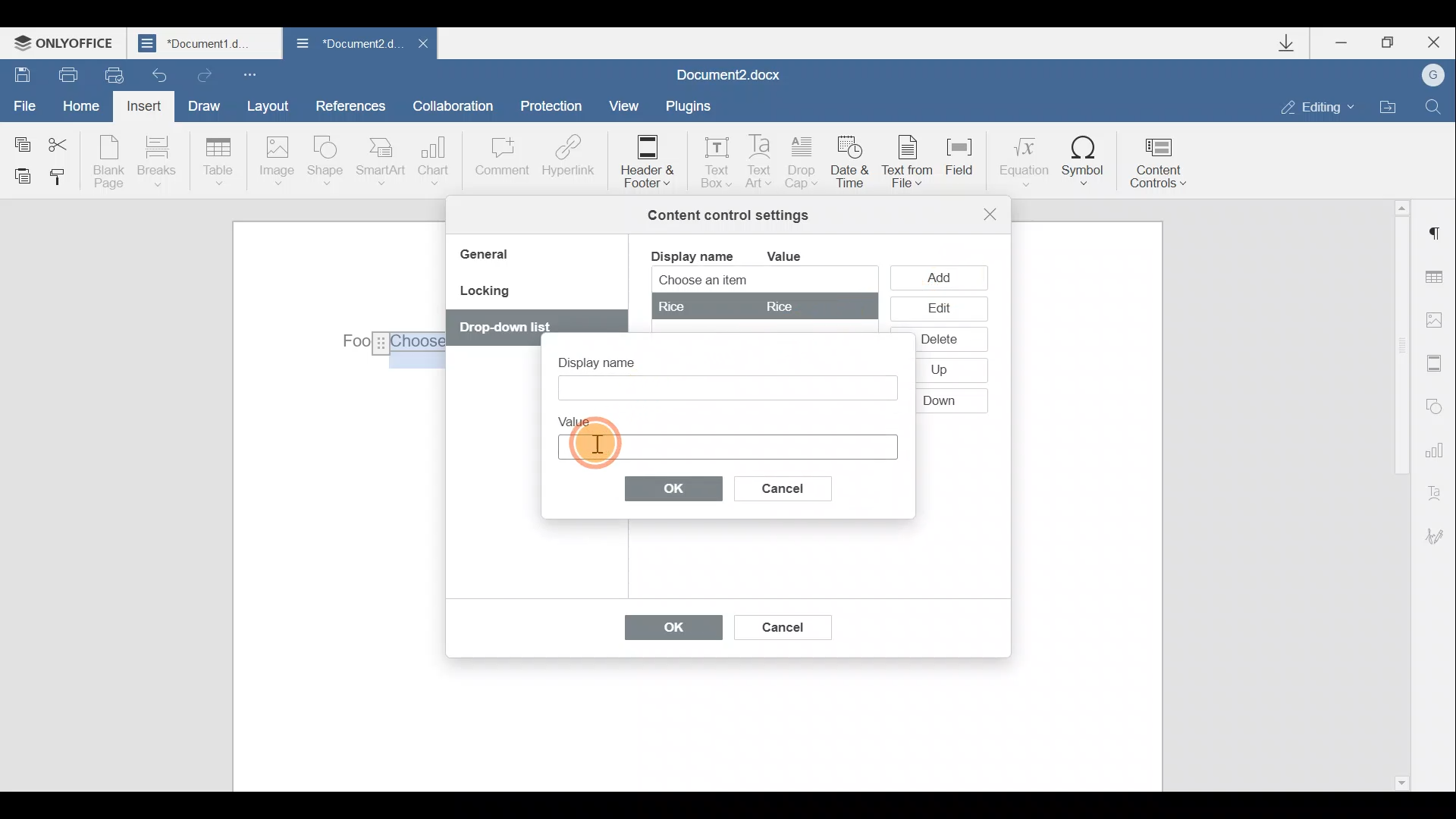 The width and height of the screenshot is (1456, 819). What do you see at coordinates (1292, 43) in the screenshot?
I see `Downloads` at bounding box center [1292, 43].